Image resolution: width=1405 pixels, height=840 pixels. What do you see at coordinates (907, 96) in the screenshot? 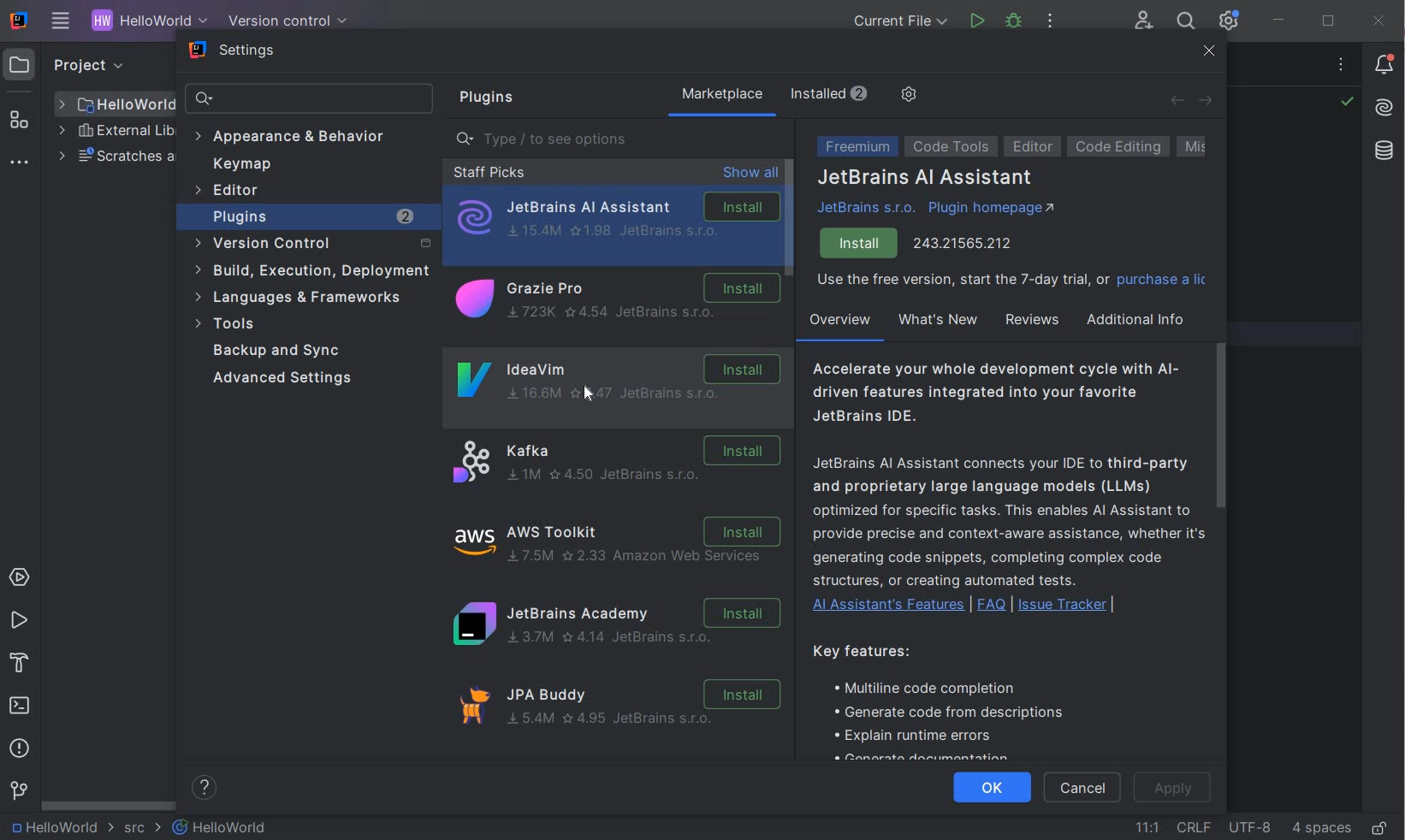
I see `MANAGE REPOSITORIES` at bounding box center [907, 96].